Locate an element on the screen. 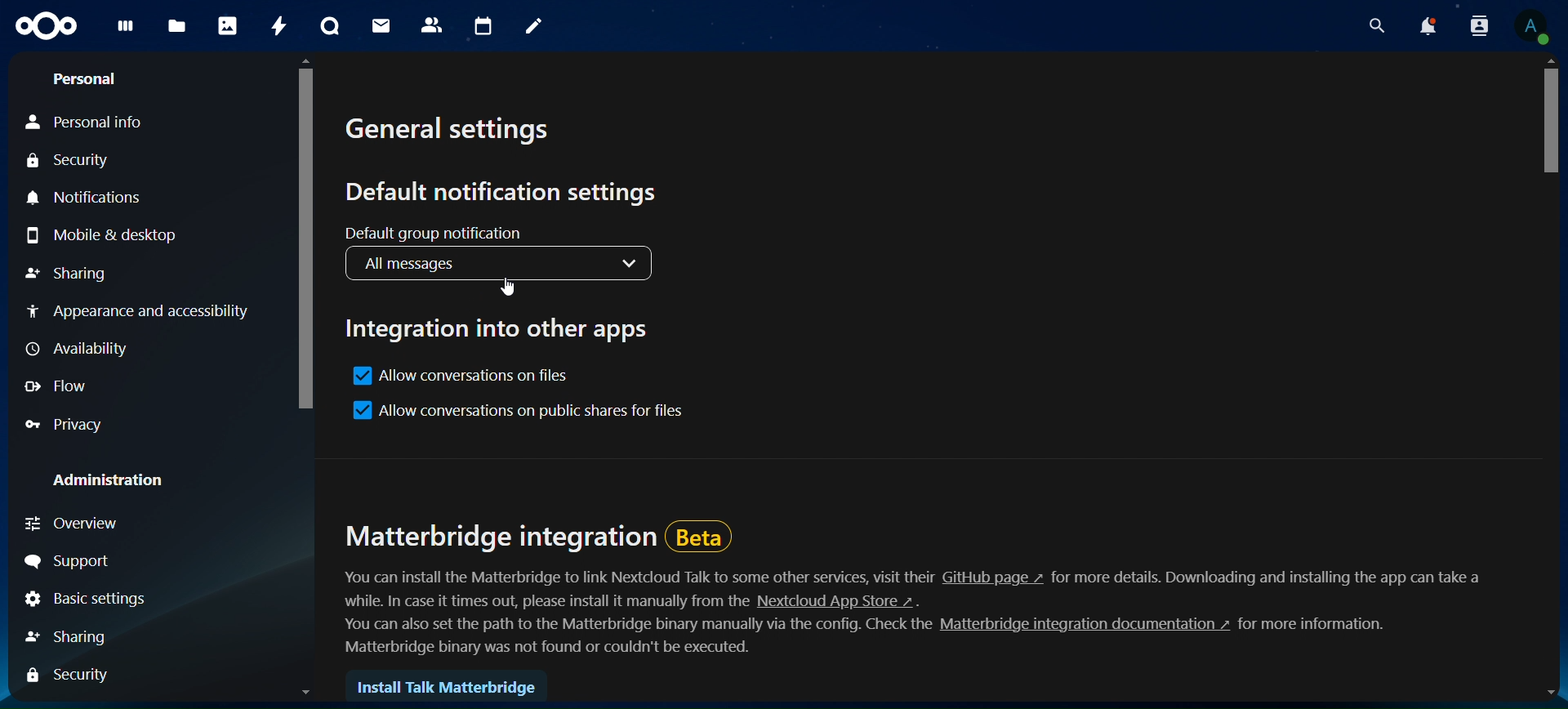 The height and width of the screenshot is (709, 1568). administration is located at coordinates (111, 478).